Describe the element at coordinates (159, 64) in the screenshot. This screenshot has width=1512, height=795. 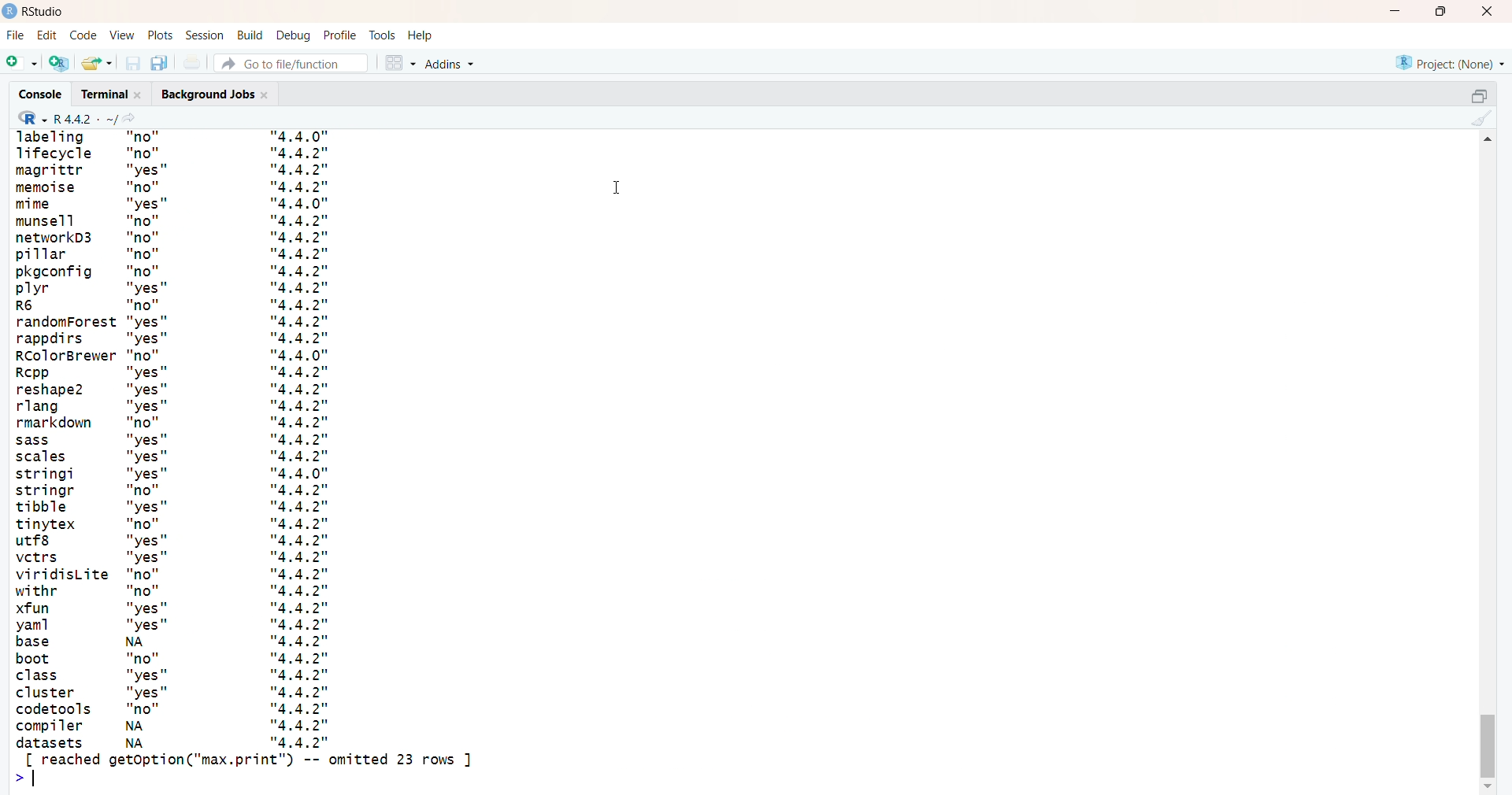
I see `save all open documents` at that location.